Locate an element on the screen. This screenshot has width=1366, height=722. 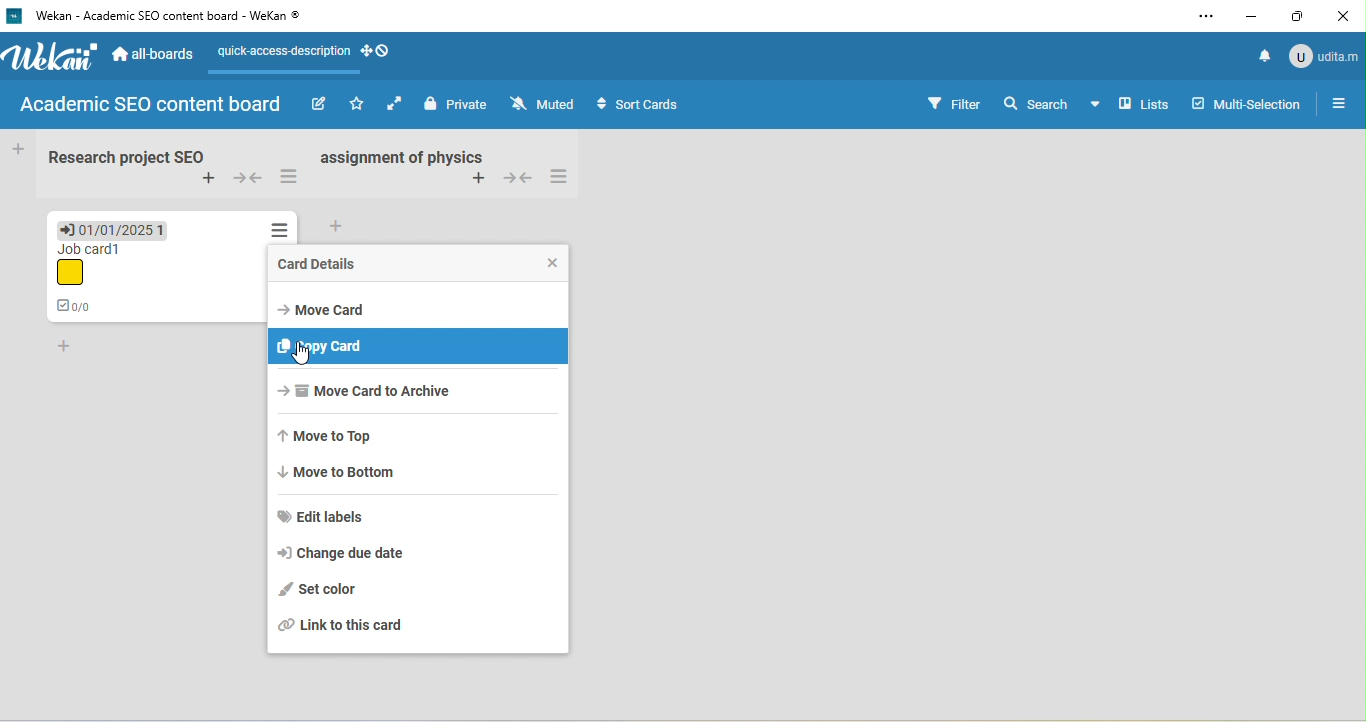
link to this card is located at coordinates (354, 630).